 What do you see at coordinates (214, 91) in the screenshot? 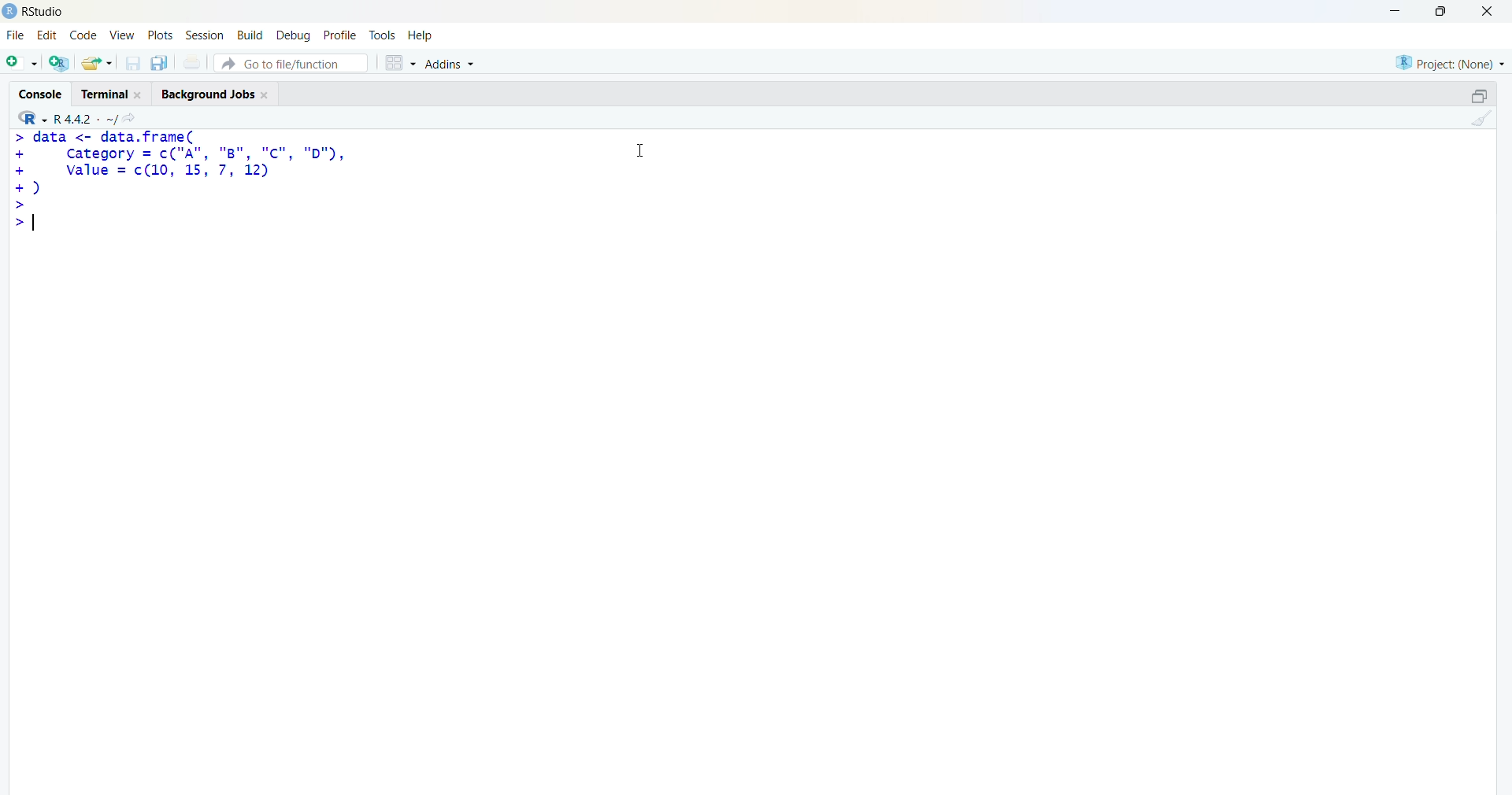
I see `Background Jobs` at bounding box center [214, 91].